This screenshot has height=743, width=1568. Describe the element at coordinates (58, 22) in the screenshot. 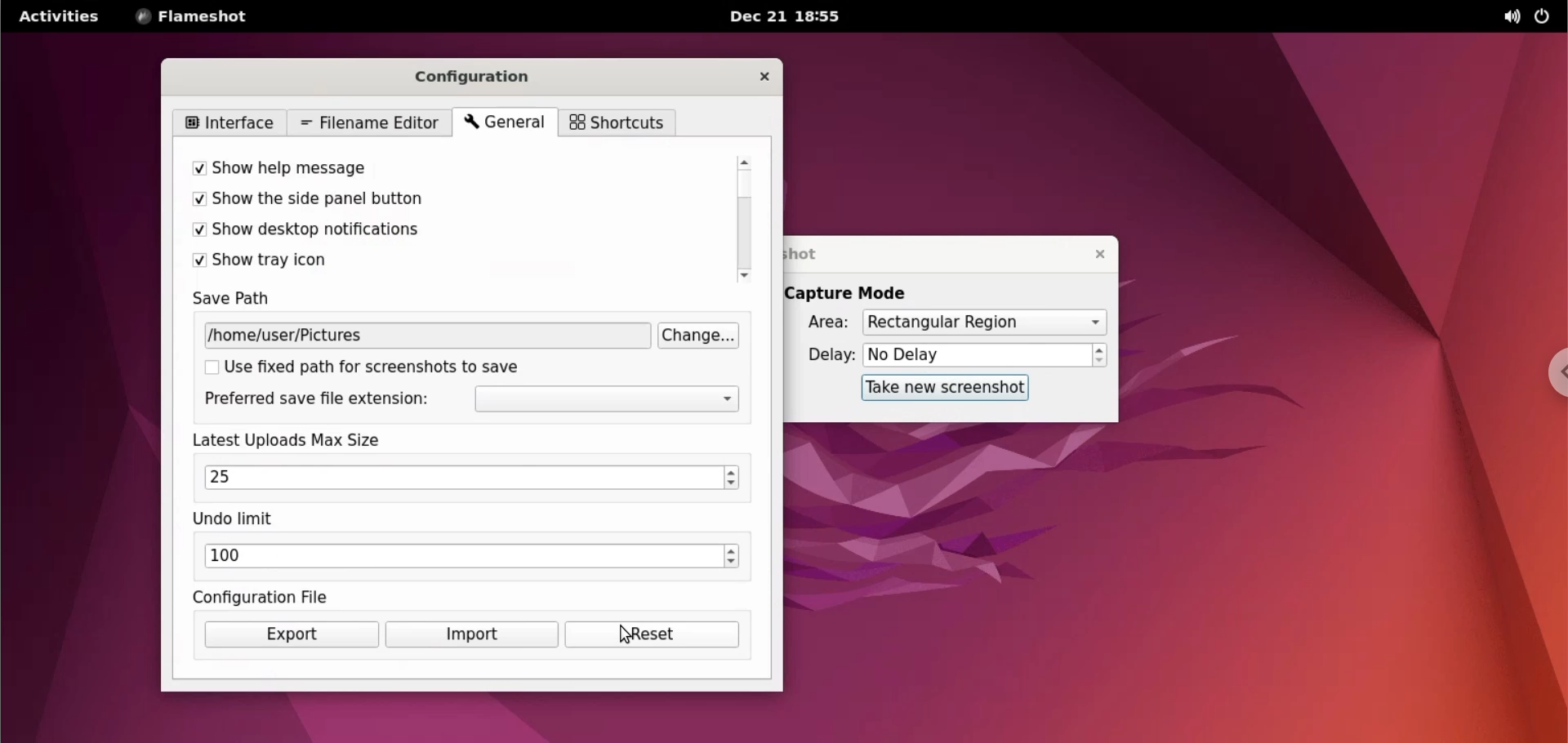

I see `Activities` at that location.